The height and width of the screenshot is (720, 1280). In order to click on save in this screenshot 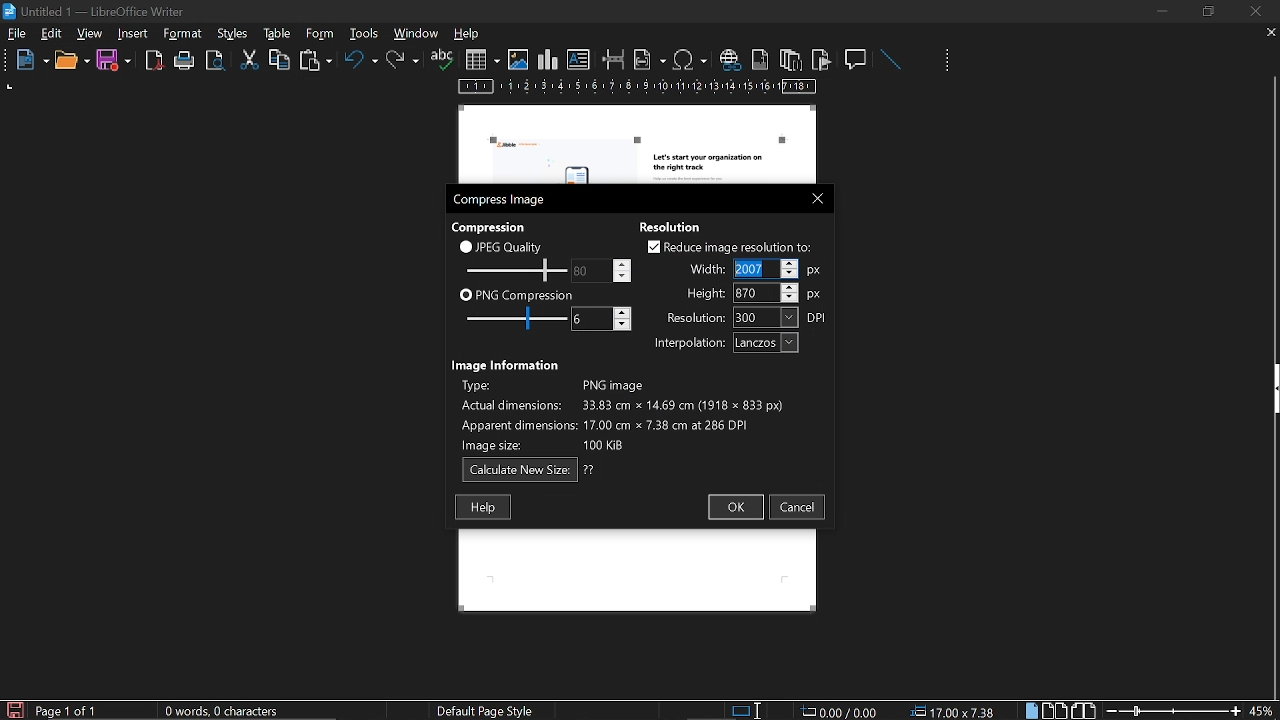, I will do `click(14, 709)`.